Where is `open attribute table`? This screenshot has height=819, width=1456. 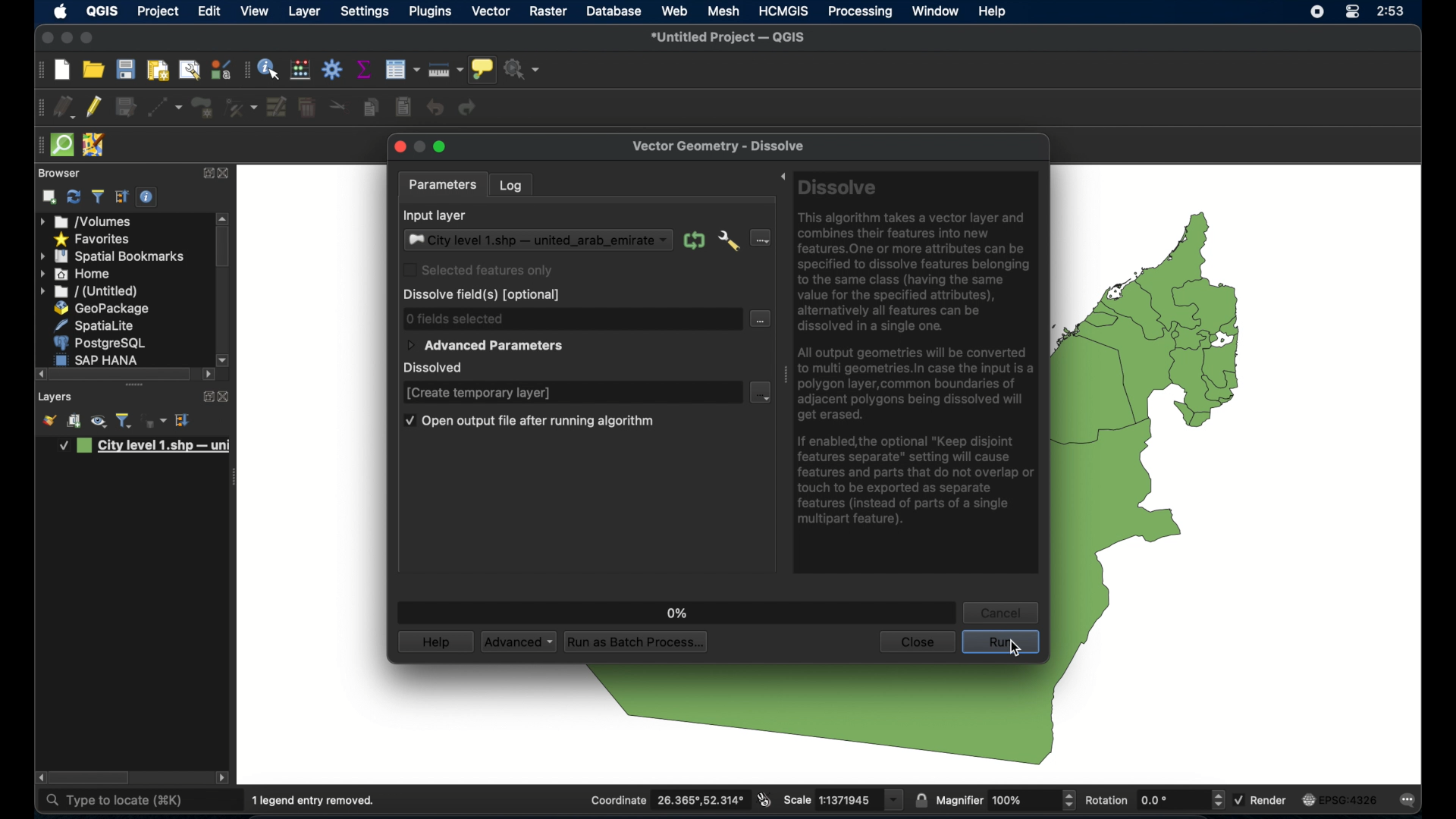 open attribute table is located at coordinates (402, 69).